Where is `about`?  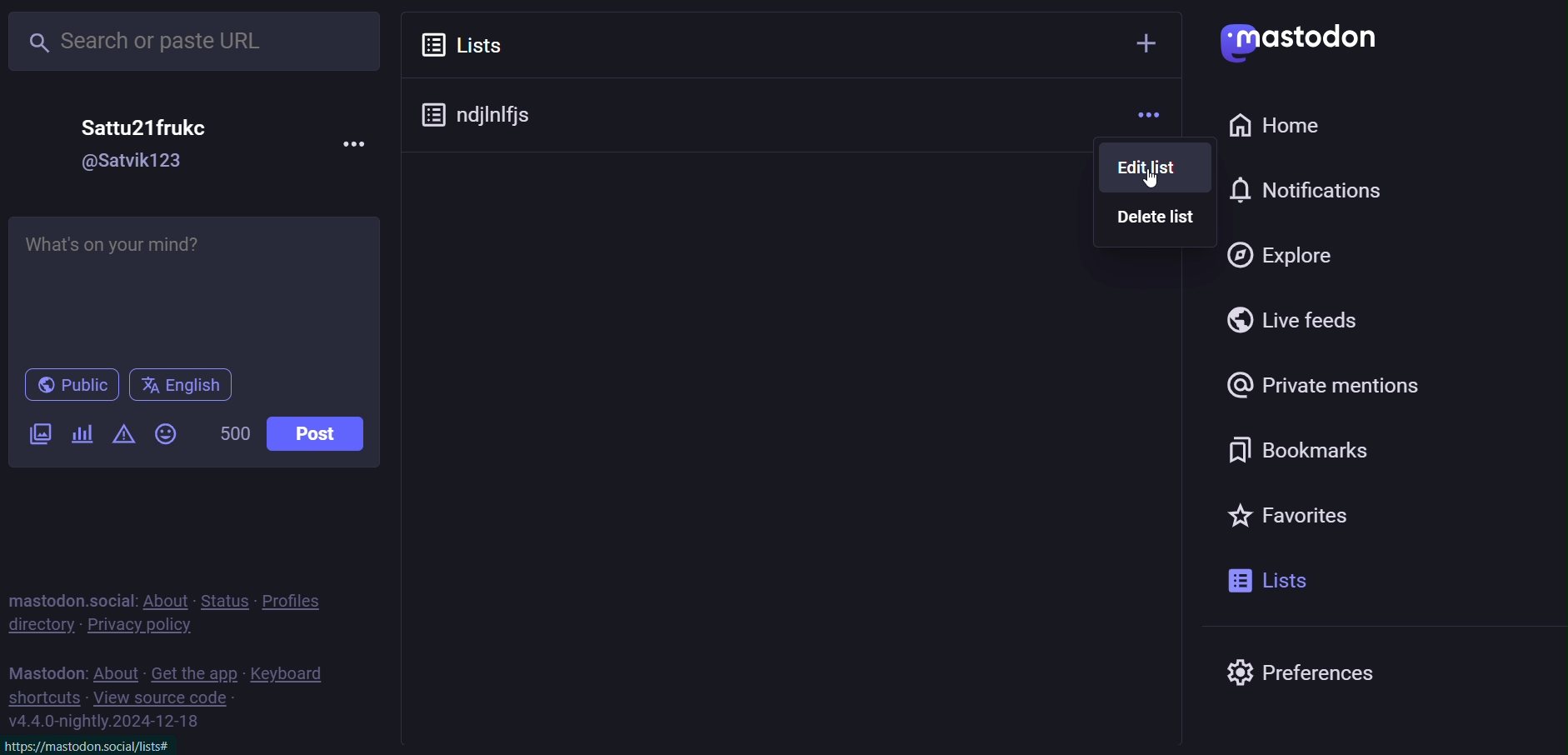 about is located at coordinates (115, 671).